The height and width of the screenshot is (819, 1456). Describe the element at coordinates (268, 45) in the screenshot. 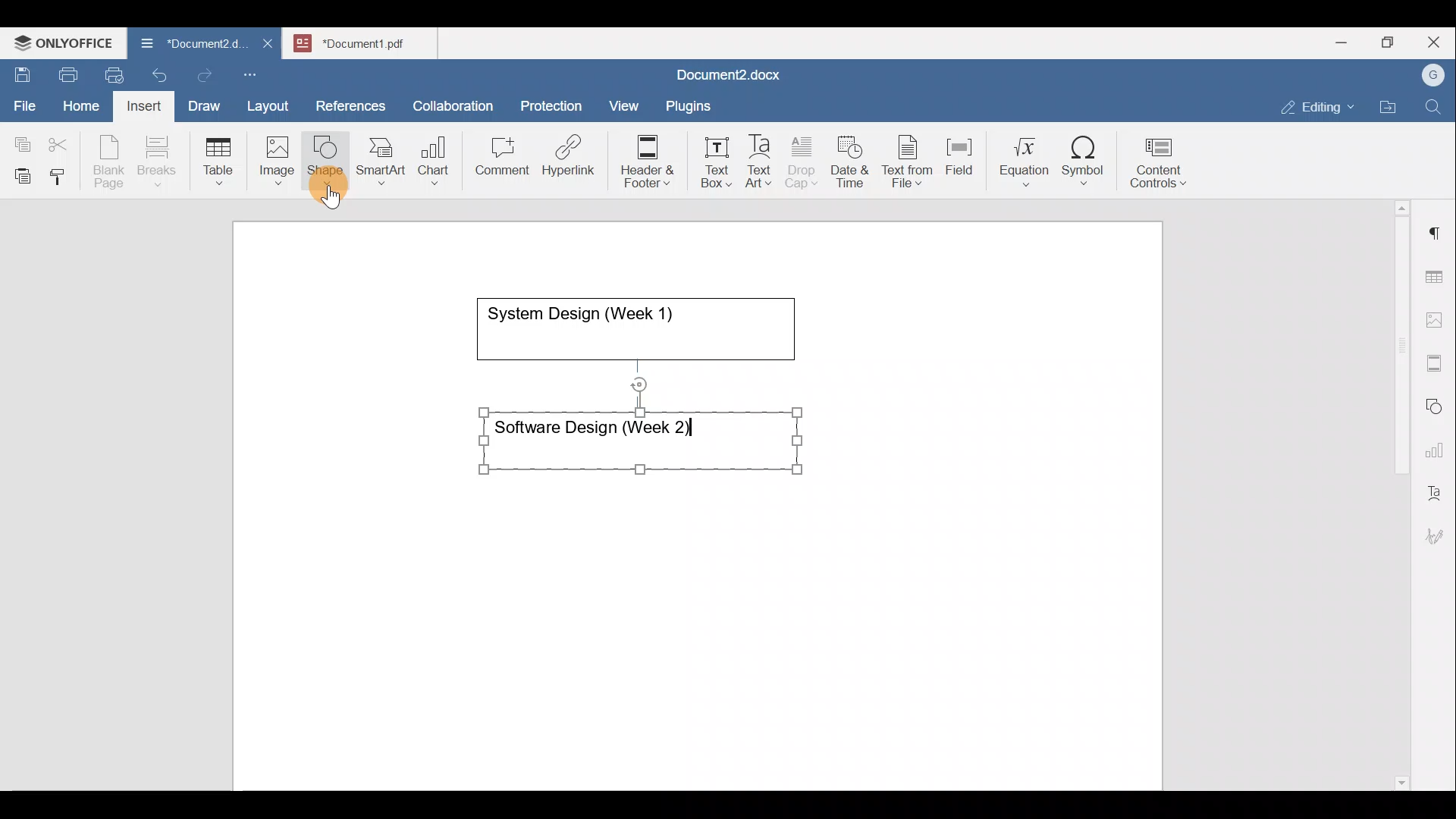

I see `Close document` at that location.